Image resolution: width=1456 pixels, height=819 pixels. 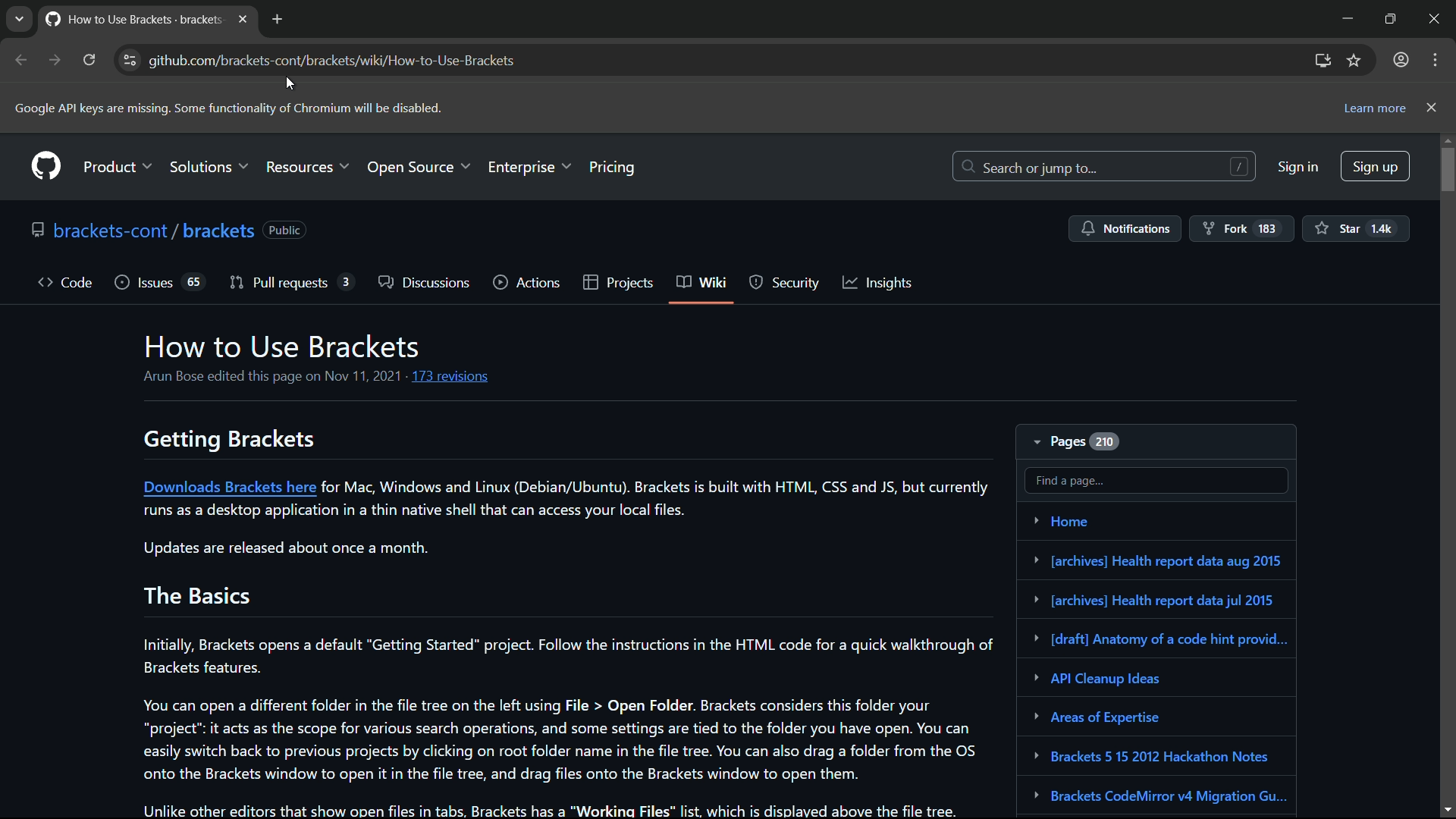 I want to click on Download brackets here, so click(x=229, y=485).